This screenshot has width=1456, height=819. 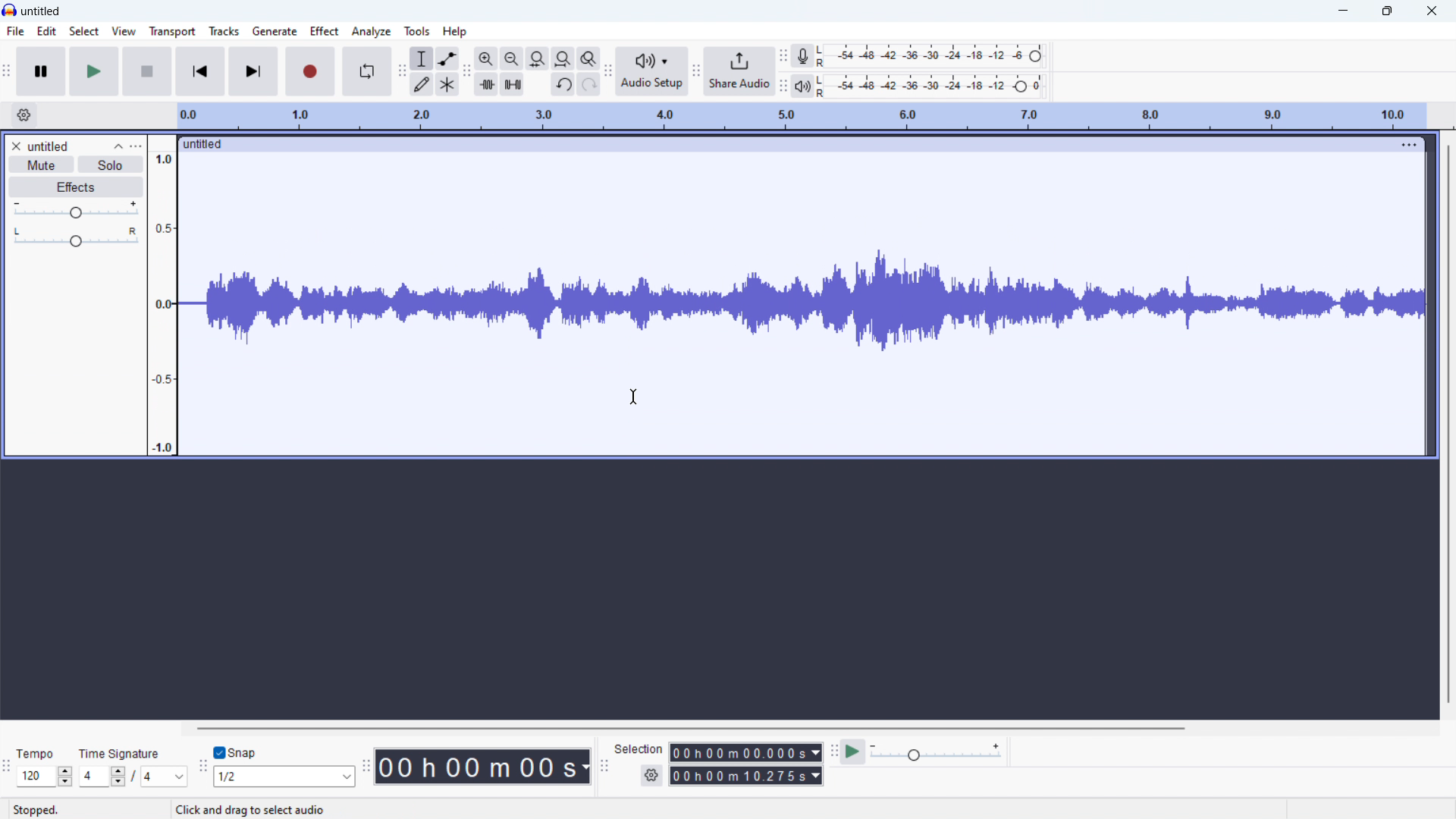 I want to click on view, so click(x=122, y=32).